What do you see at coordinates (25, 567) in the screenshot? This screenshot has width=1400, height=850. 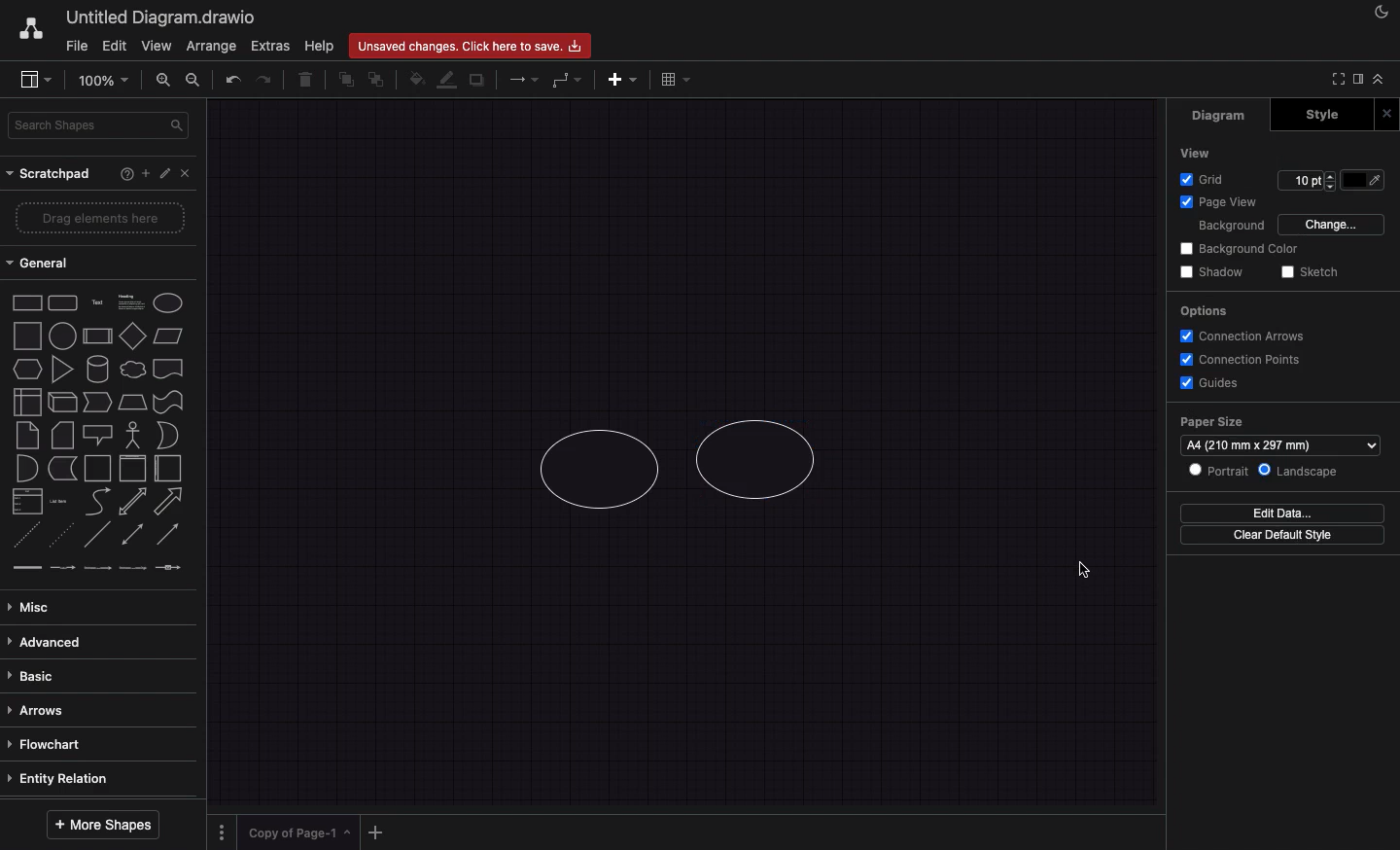 I see `link` at bounding box center [25, 567].